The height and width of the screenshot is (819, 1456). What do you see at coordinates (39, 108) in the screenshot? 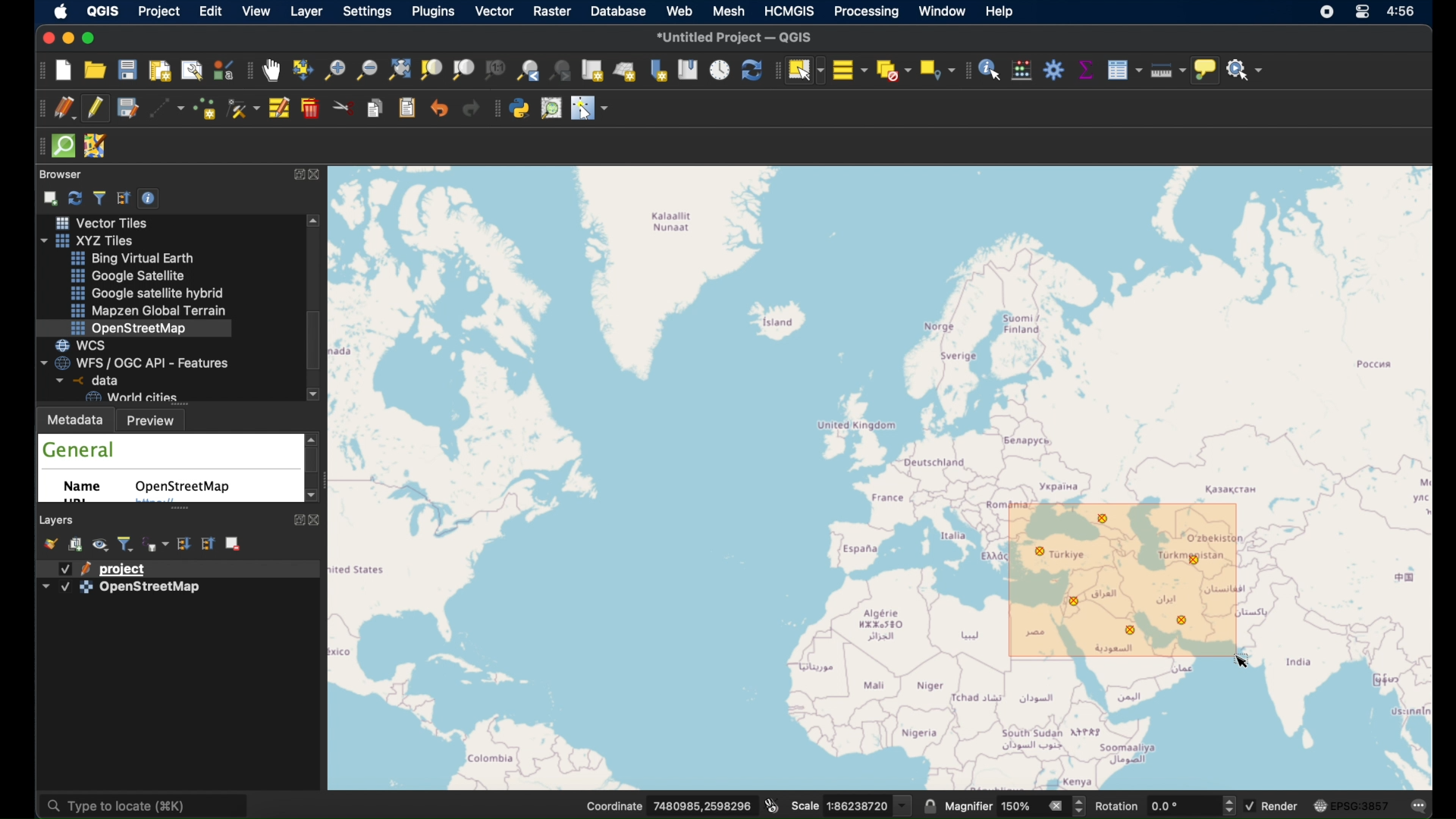
I see `digitizing toolbar` at bounding box center [39, 108].